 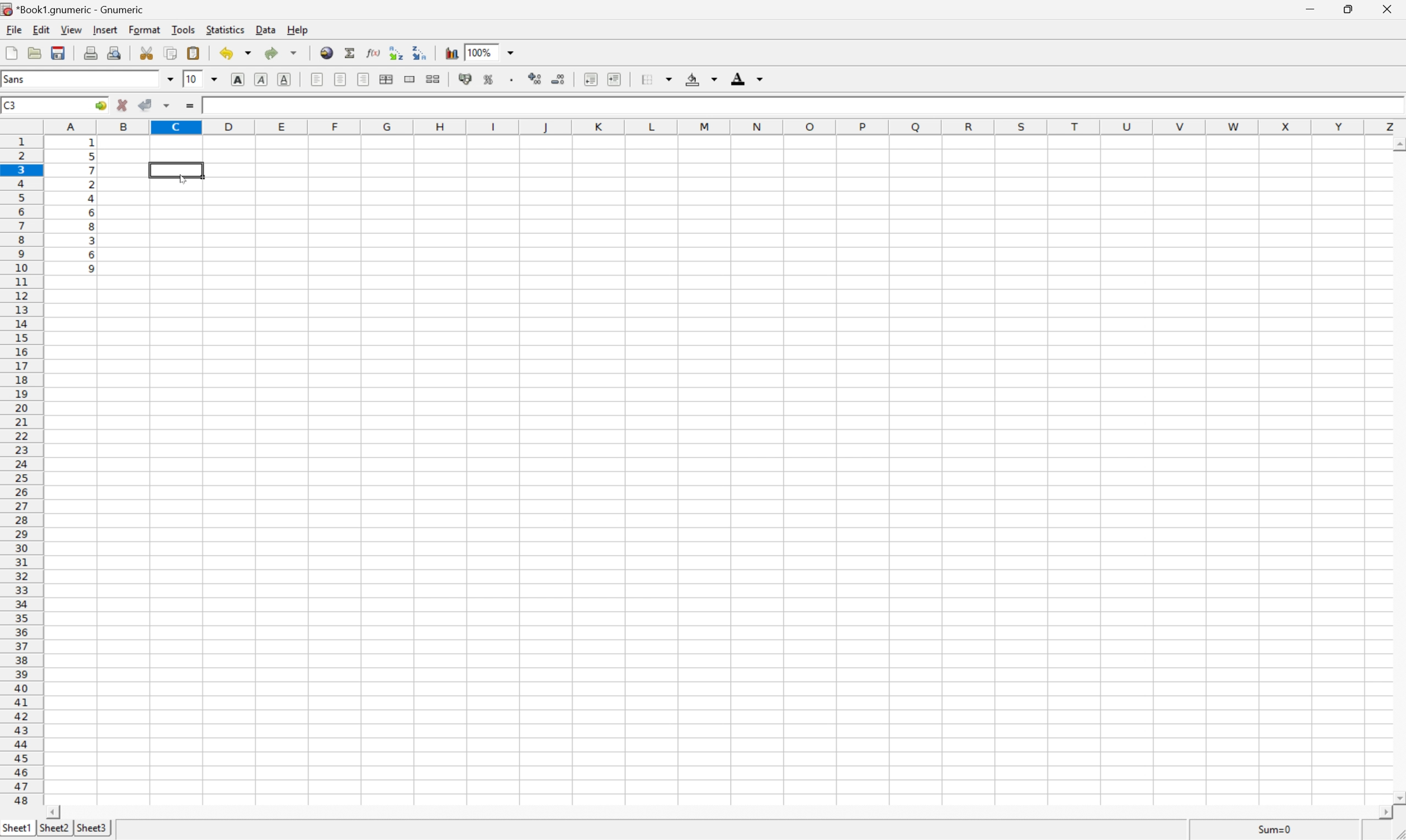 What do you see at coordinates (148, 53) in the screenshot?
I see `cut` at bounding box center [148, 53].